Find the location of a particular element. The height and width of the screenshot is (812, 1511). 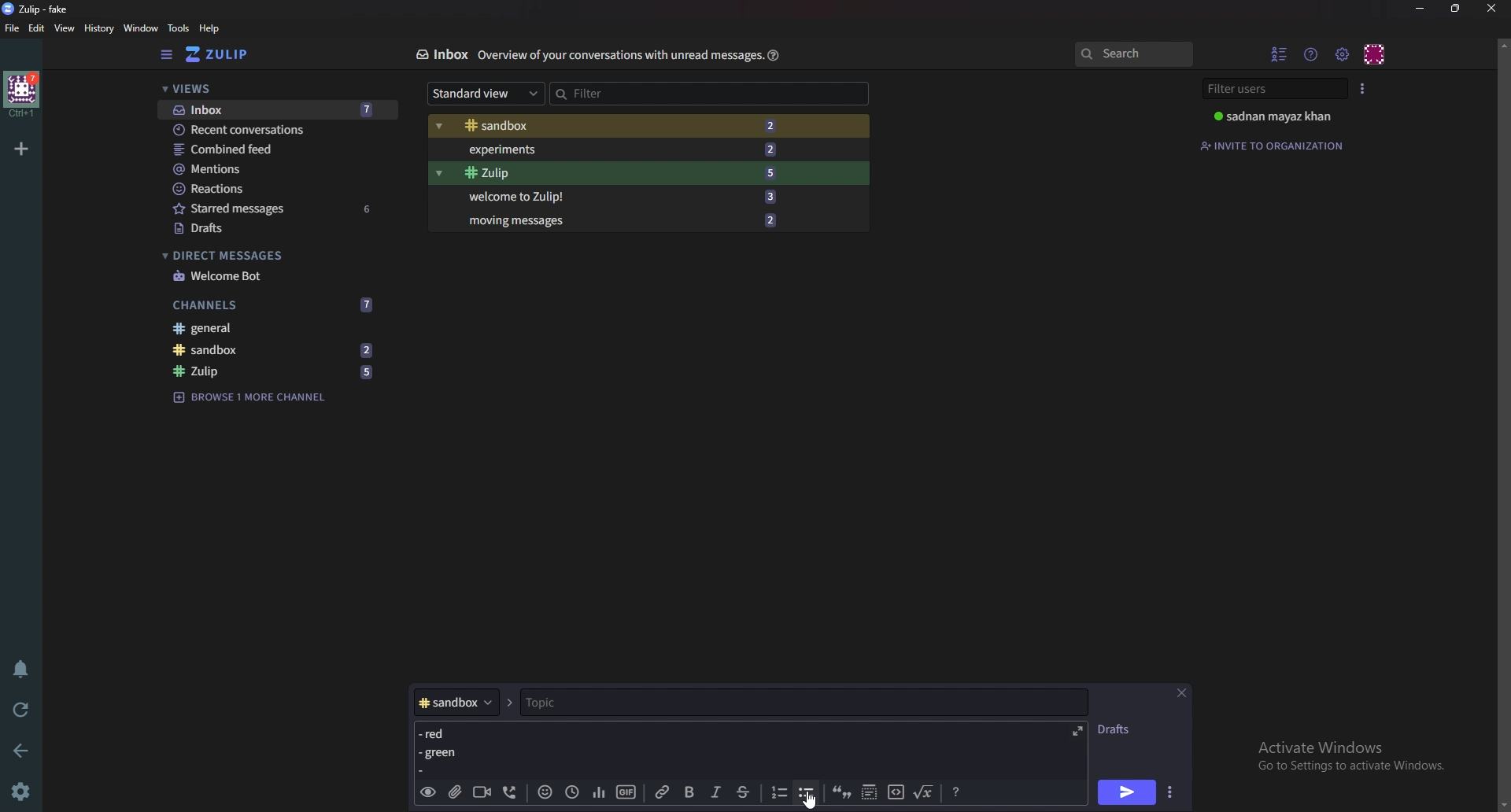

welcome bot is located at coordinates (273, 276).